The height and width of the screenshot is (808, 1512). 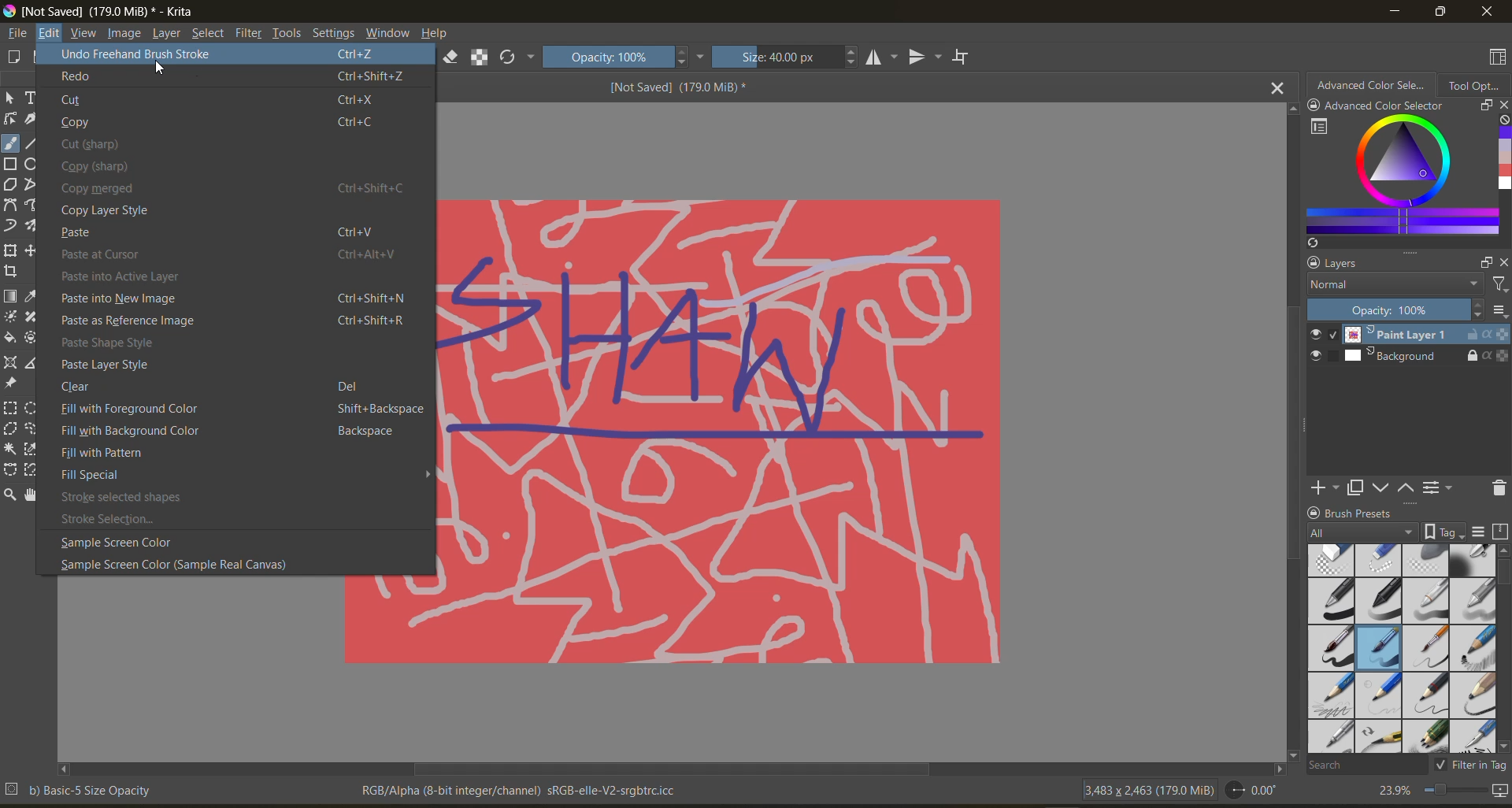 What do you see at coordinates (1469, 766) in the screenshot?
I see `filter  in tag` at bounding box center [1469, 766].